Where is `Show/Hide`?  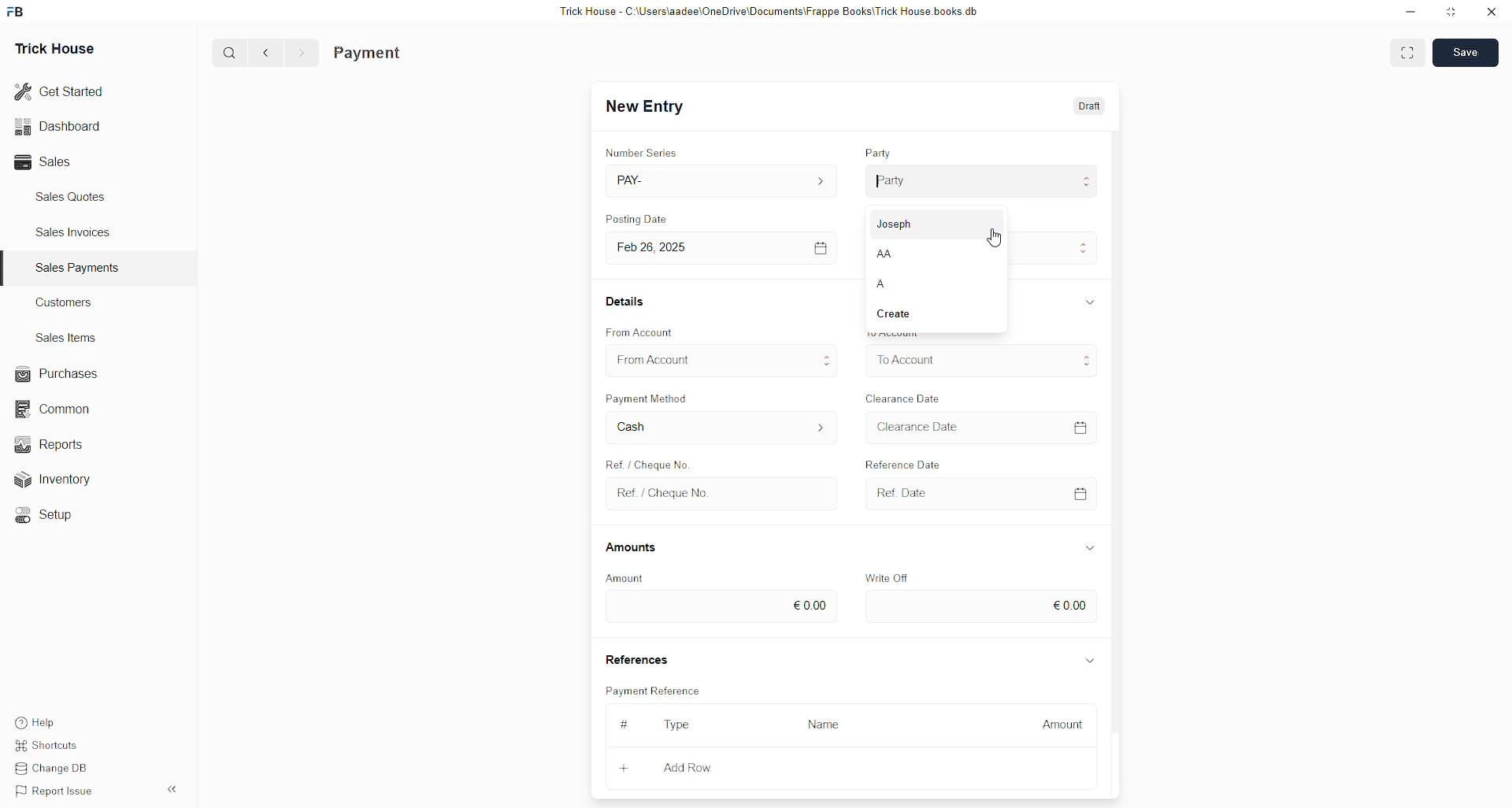 Show/Hide is located at coordinates (1091, 302).